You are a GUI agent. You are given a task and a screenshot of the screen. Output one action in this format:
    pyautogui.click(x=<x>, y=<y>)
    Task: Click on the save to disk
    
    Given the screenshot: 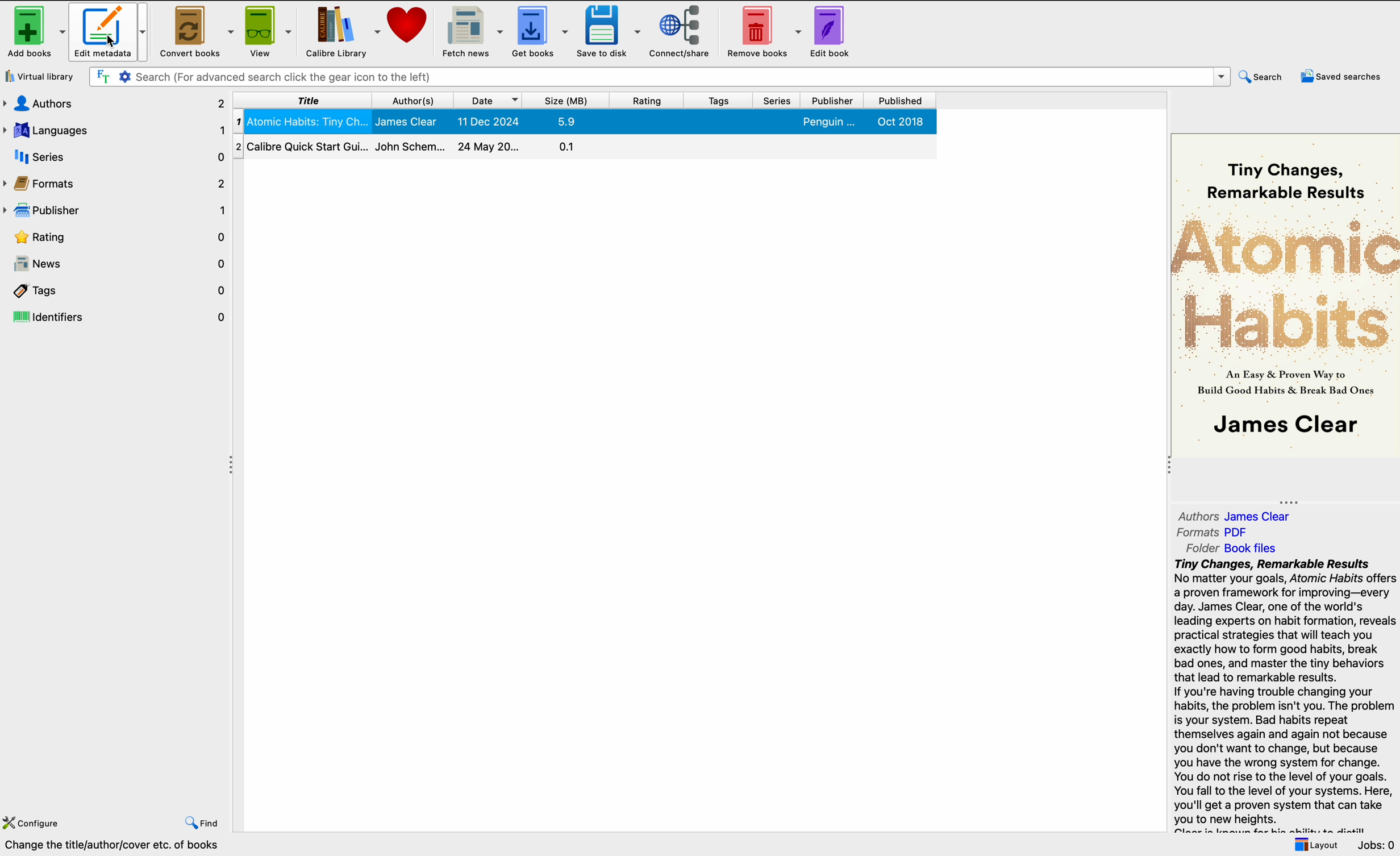 What is the action you would take?
    pyautogui.click(x=608, y=32)
    